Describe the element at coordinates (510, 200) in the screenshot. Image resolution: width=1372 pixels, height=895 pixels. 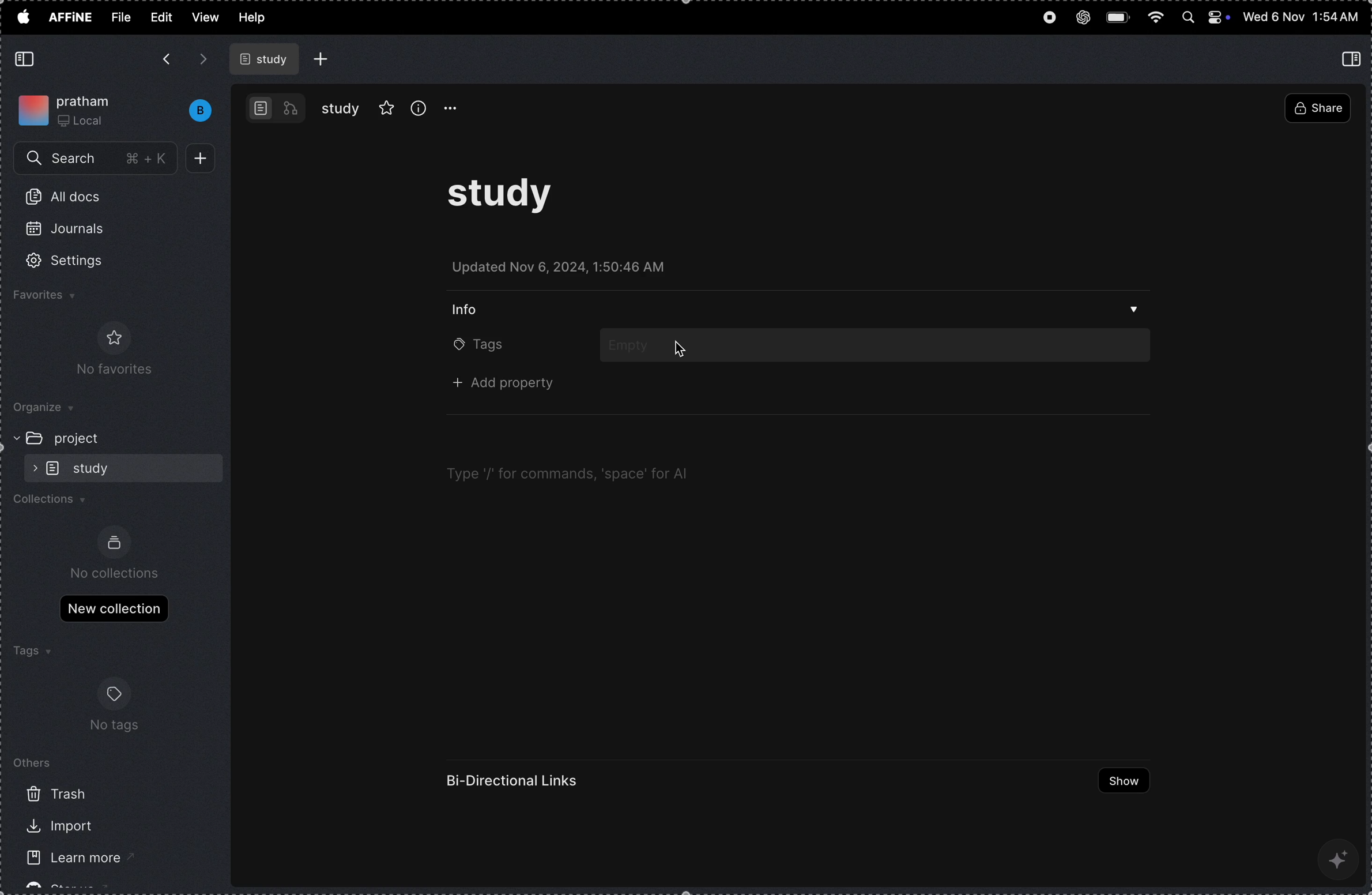
I see `study task` at that location.